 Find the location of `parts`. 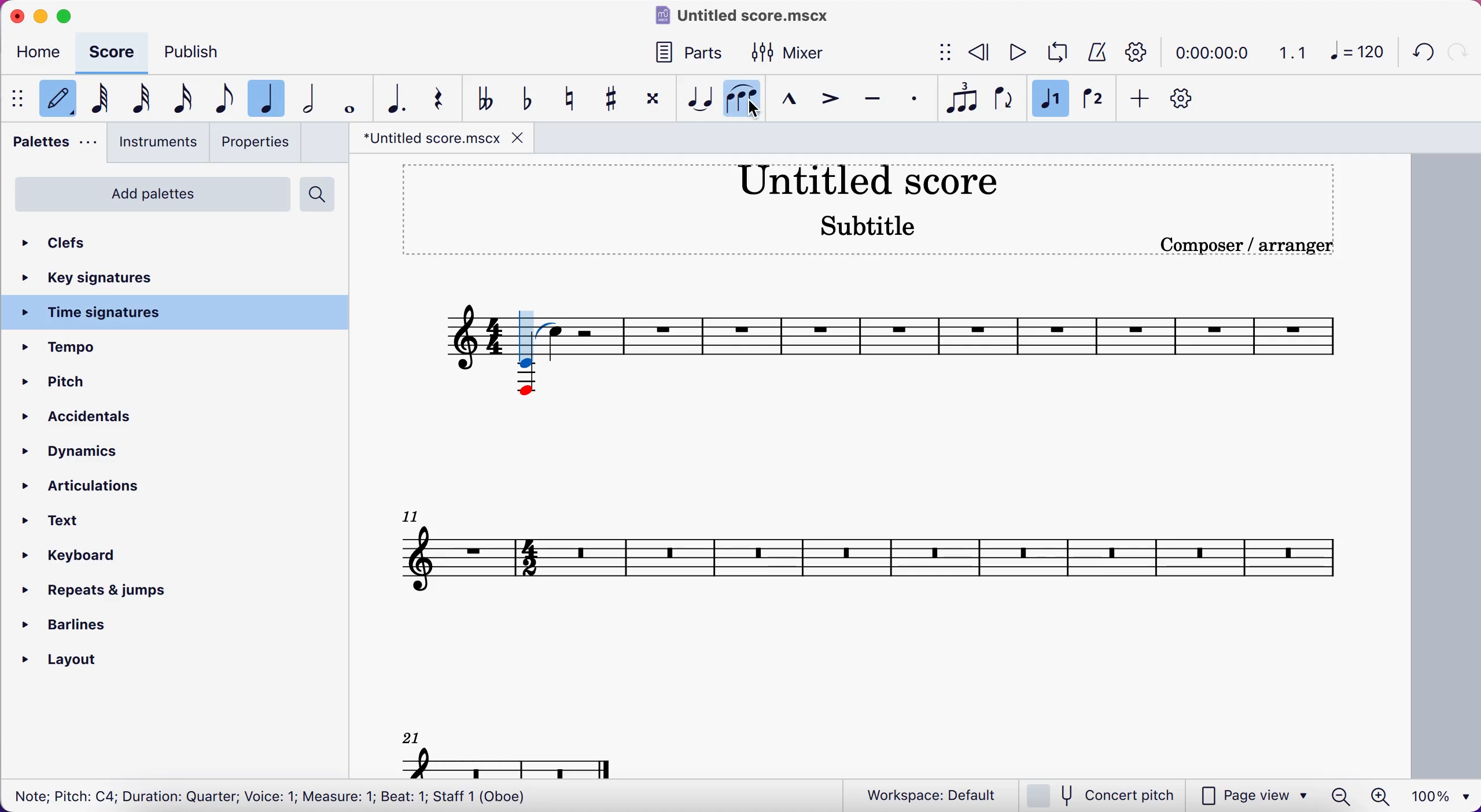

parts is located at coordinates (697, 55).